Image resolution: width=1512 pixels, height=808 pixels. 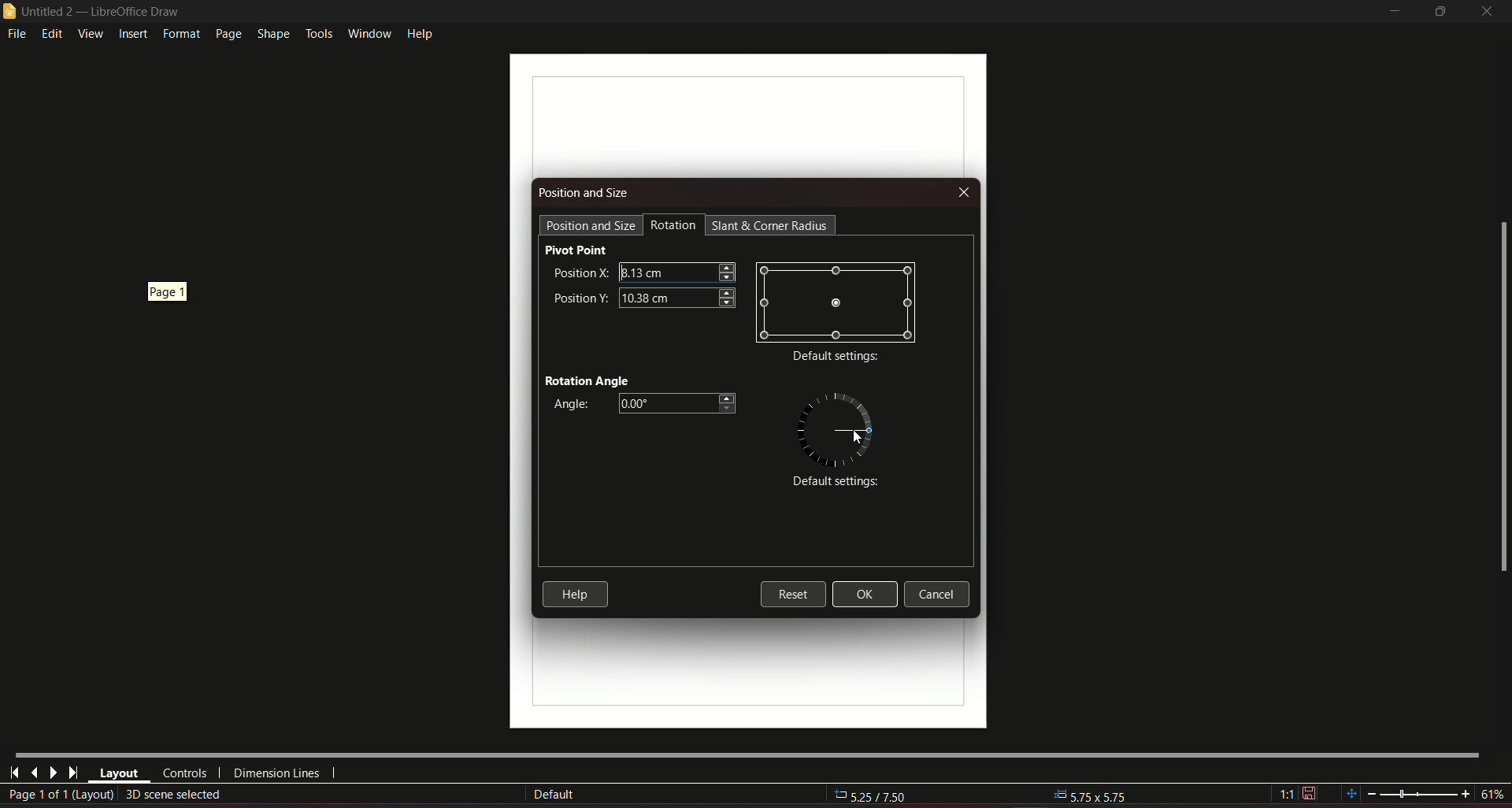 What do you see at coordinates (832, 483) in the screenshot?
I see `Default Settings` at bounding box center [832, 483].